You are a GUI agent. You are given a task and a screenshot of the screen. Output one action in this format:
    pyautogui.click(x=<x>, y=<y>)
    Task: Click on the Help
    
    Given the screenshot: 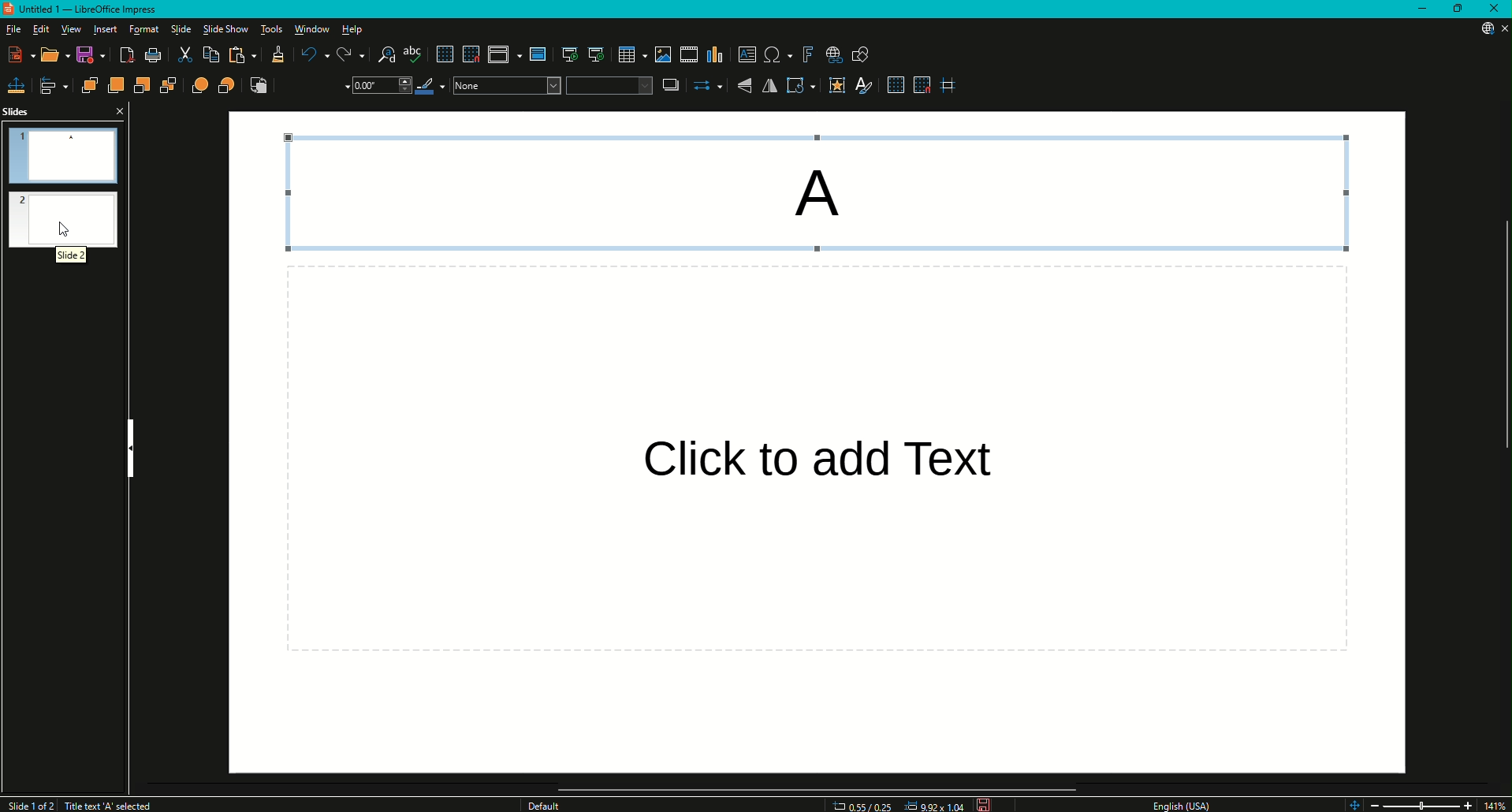 What is the action you would take?
    pyautogui.click(x=356, y=28)
    